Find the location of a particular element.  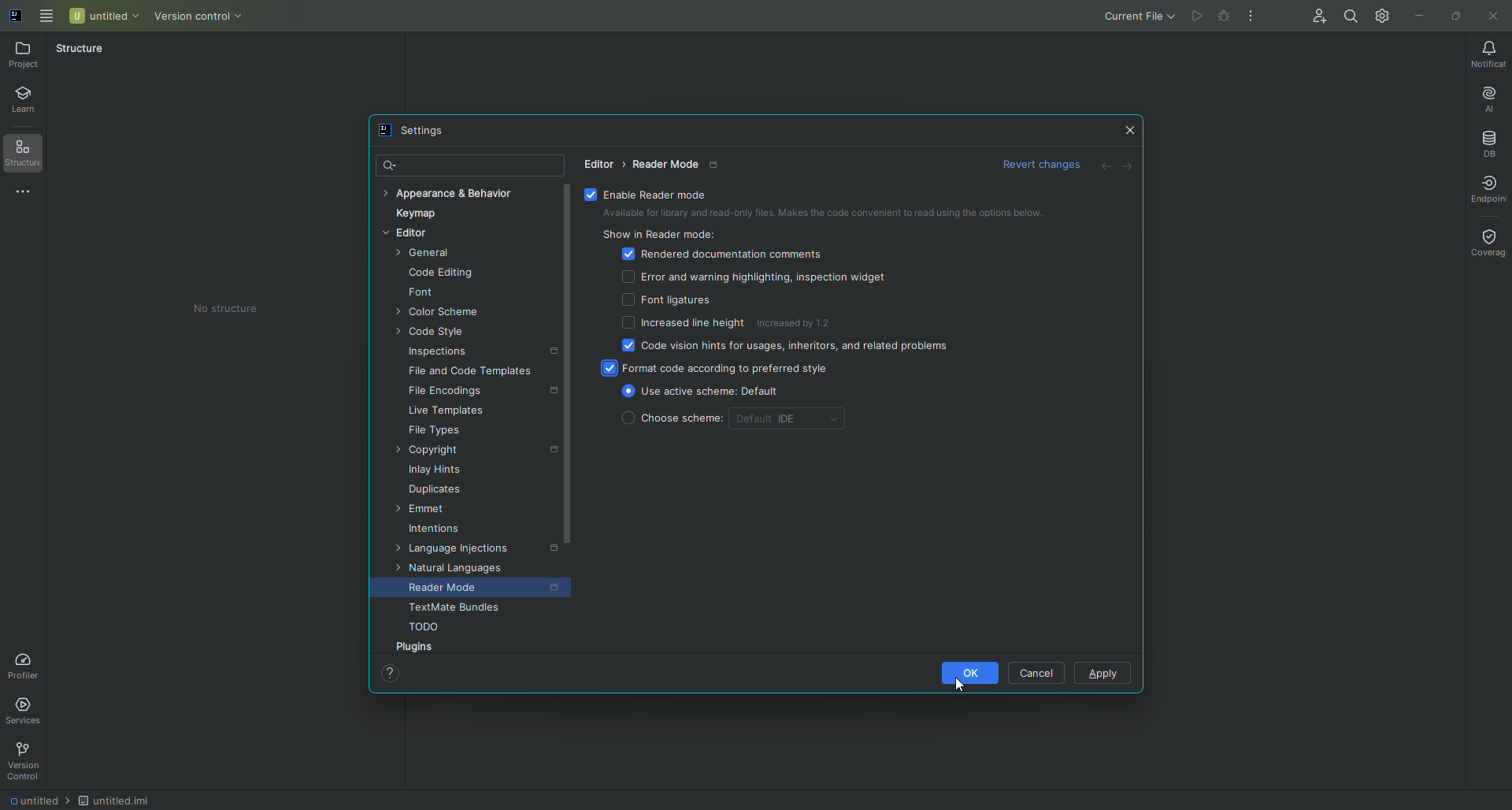

Version control is located at coordinates (200, 18).